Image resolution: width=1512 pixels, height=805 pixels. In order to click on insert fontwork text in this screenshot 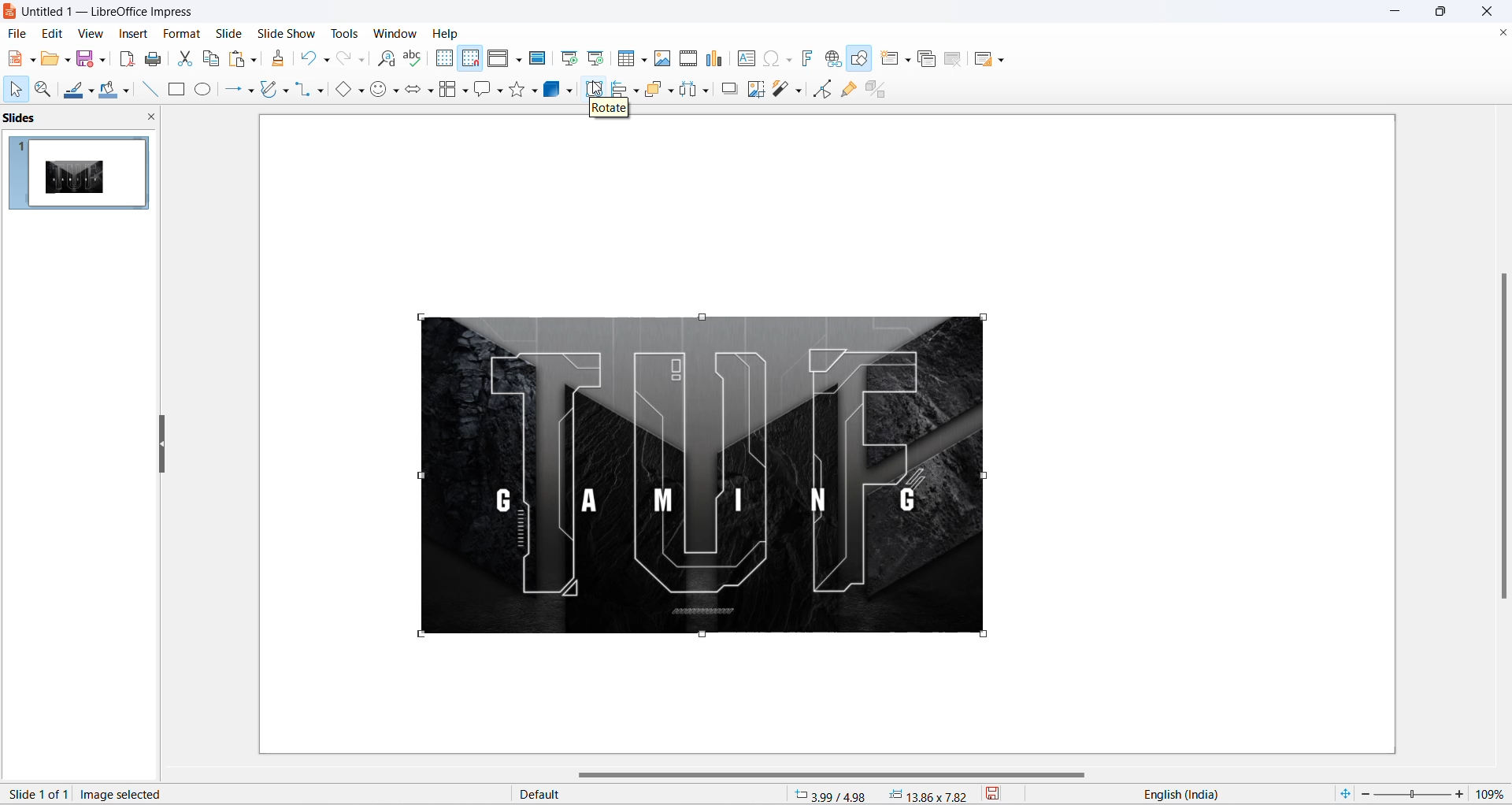, I will do `click(806, 57)`.